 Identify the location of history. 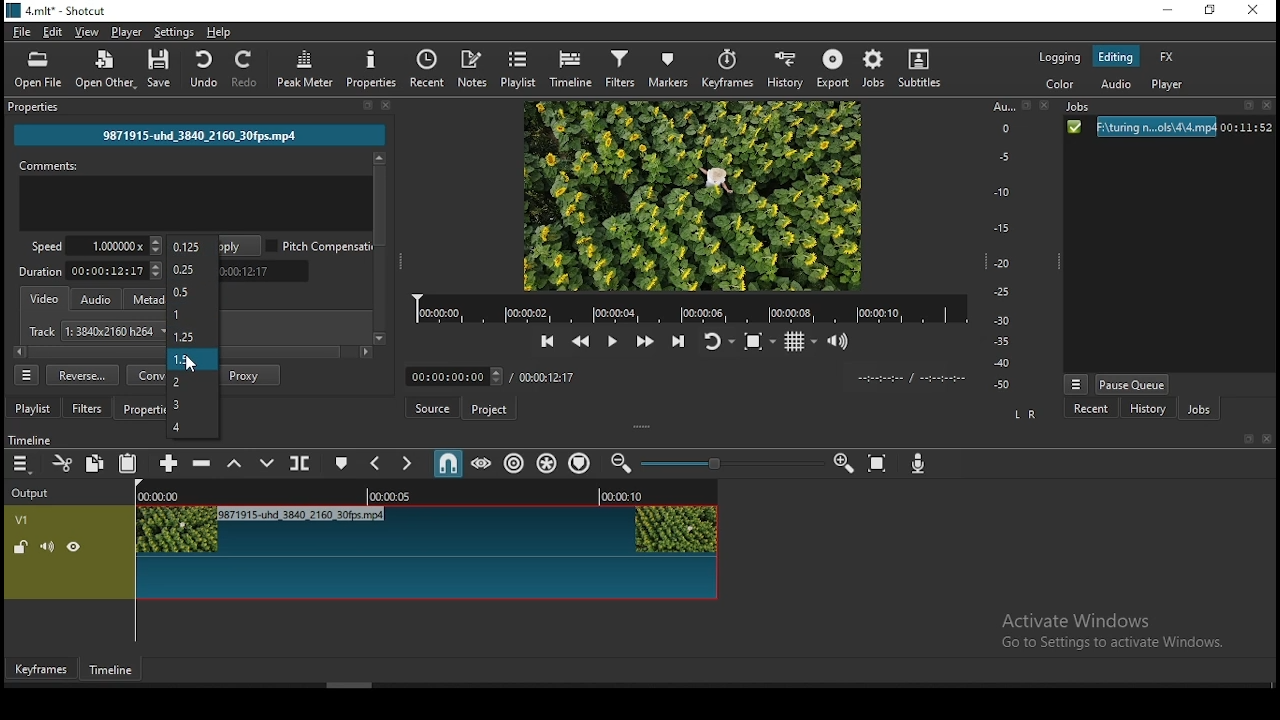
(1144, 410).